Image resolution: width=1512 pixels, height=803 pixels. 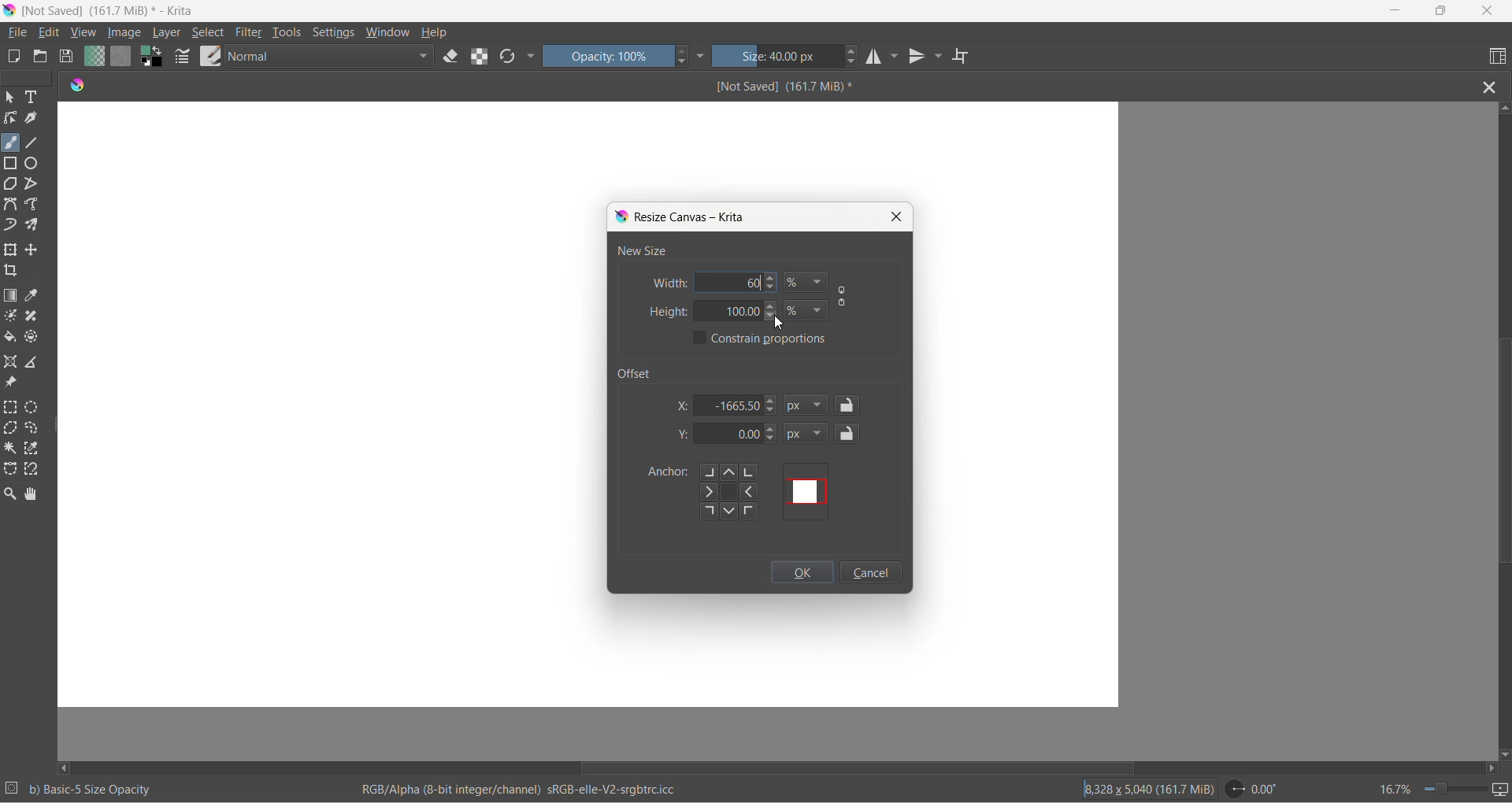 What do you see at coordinates (809, 406) in the screenshot?
I see `x-axis value type` at bounding box center [809, 406].